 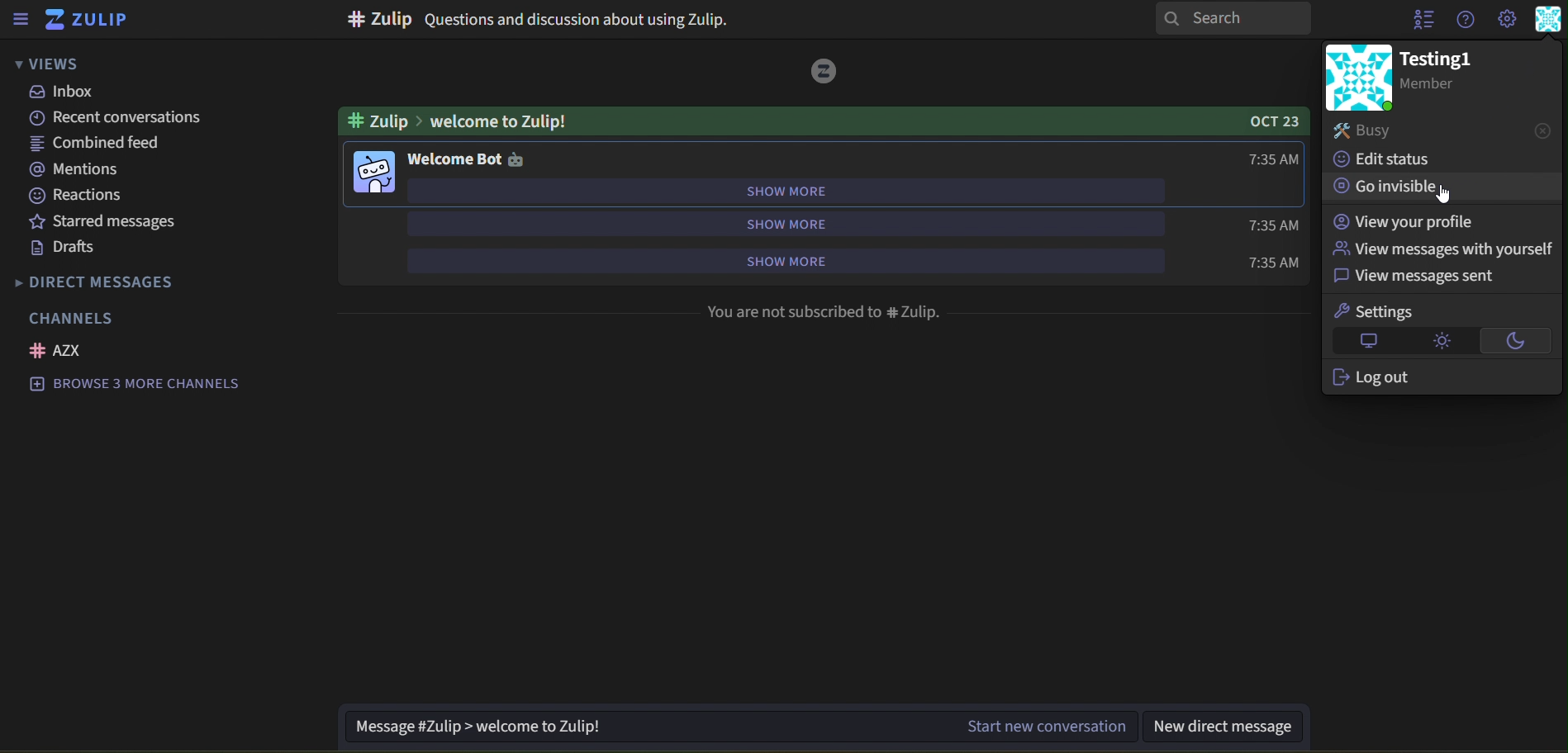 I want to click on zulip, so click(x=91, y=19).